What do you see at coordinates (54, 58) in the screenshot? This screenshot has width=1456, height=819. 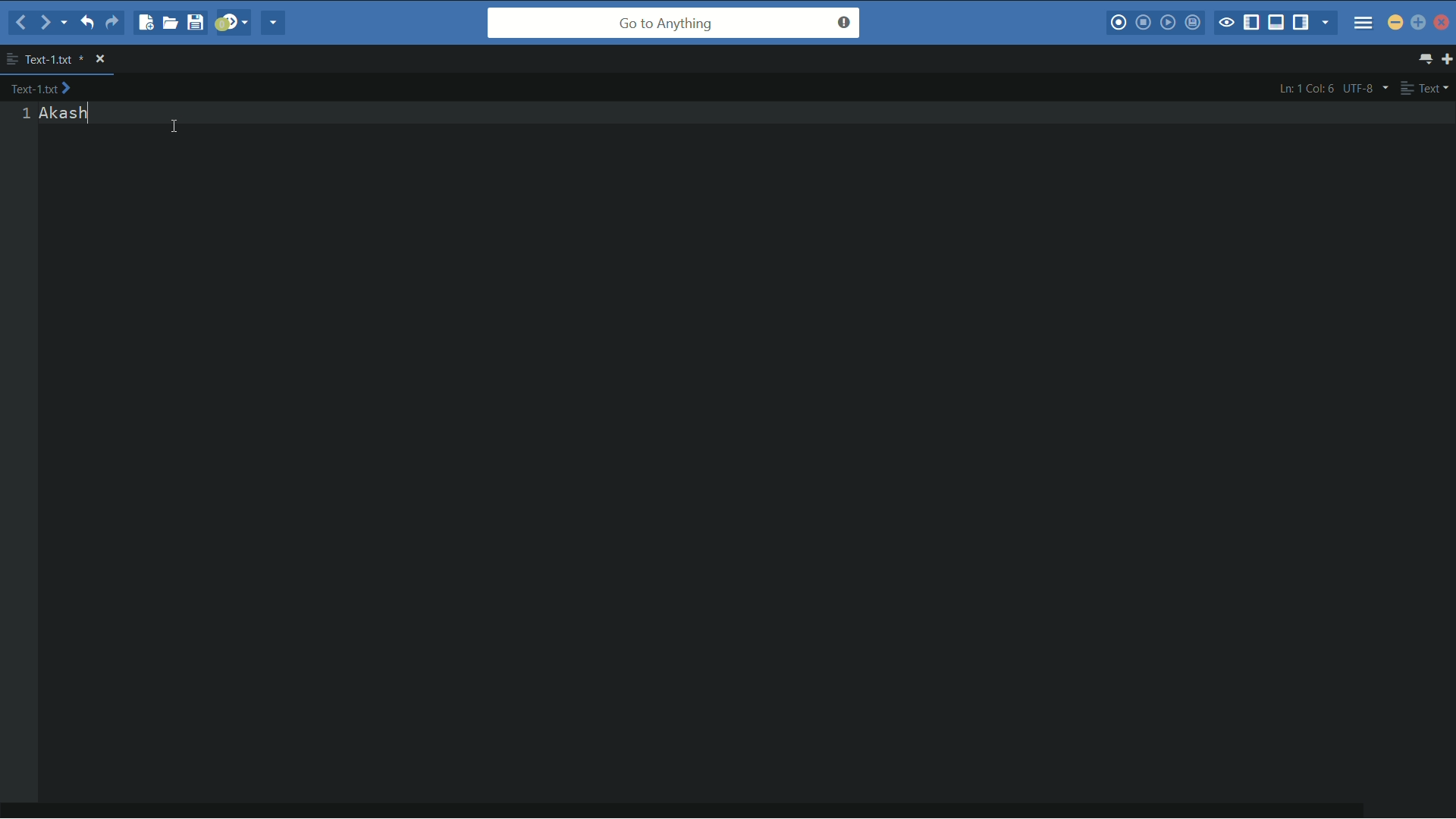 I see `Text-1 File` at bounding box center [54, 58].